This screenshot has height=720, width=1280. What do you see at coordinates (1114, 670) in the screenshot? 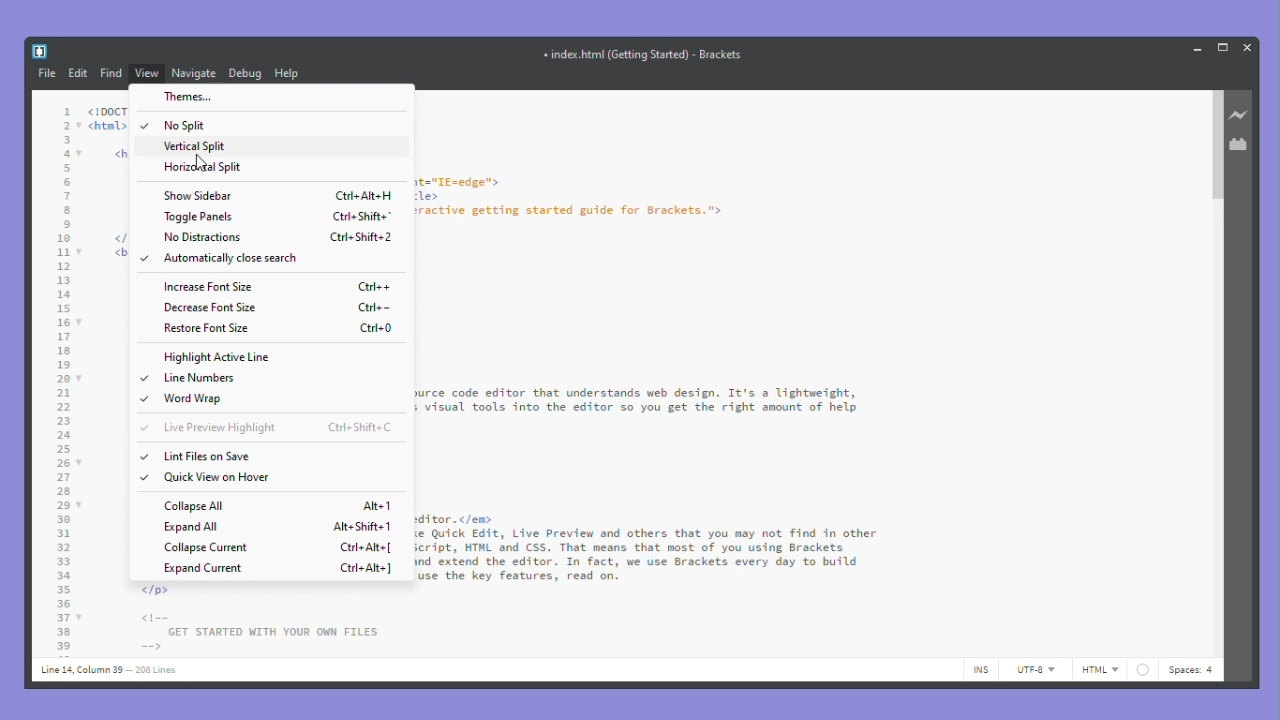
I see `HTML` at bounding box center [1114, 670].